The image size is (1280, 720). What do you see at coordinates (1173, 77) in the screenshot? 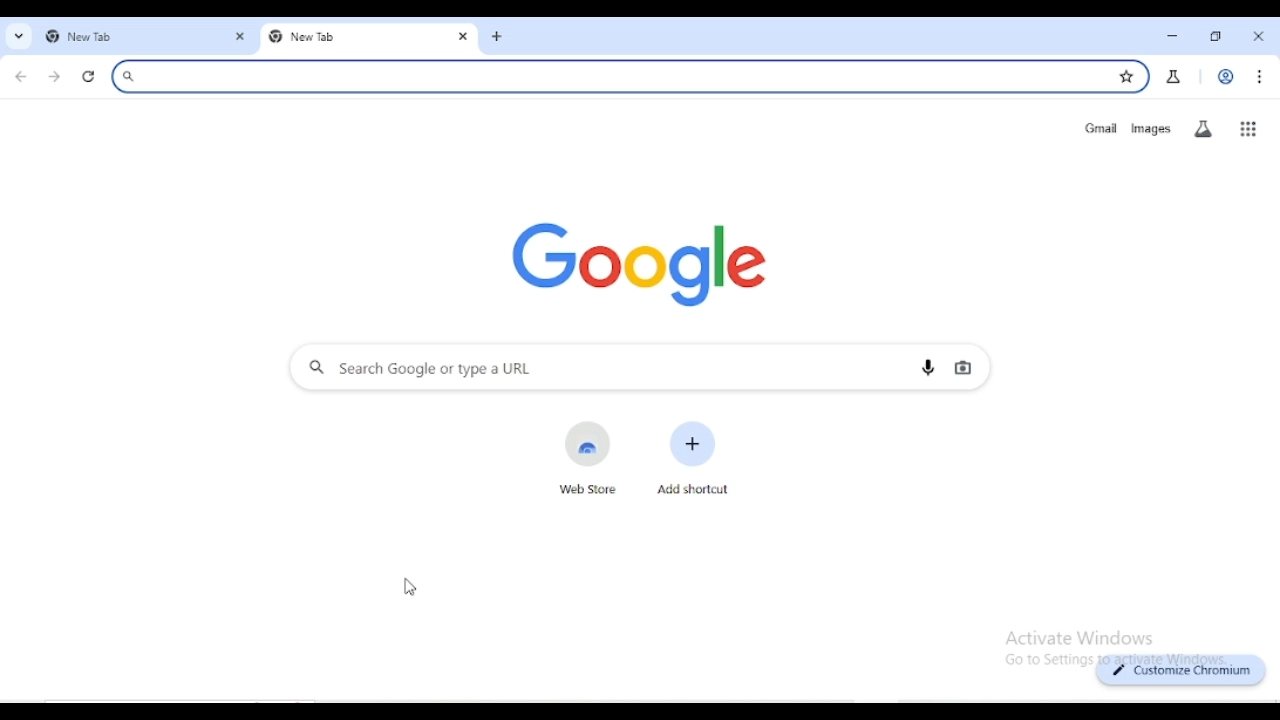
I see `search labs` at bounding box center [1173, 77].